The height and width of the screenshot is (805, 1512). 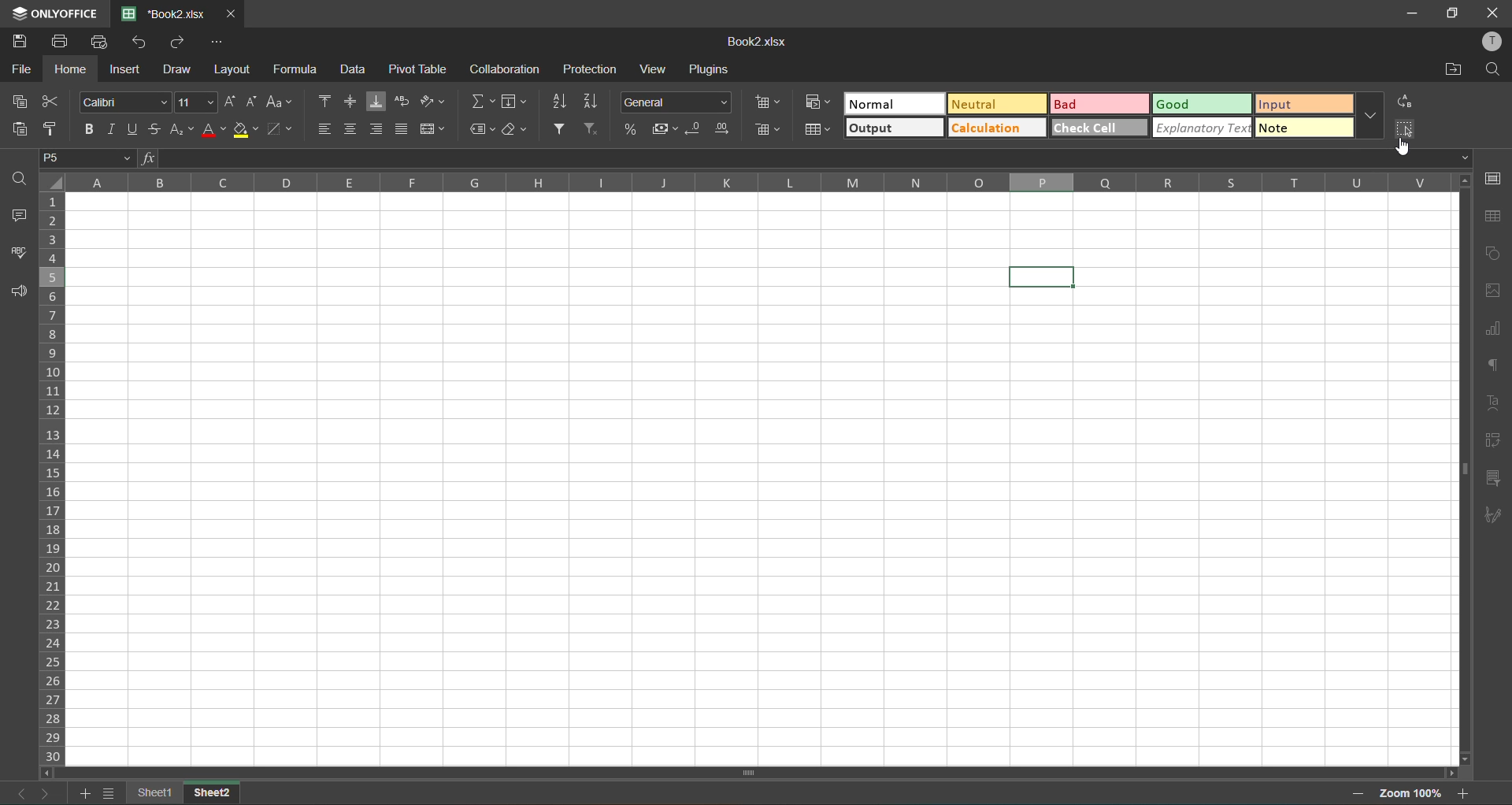 What do you see at coordinates (1303, 128) in the screenshot?
I see `note` at bounding box center [1303, 128].